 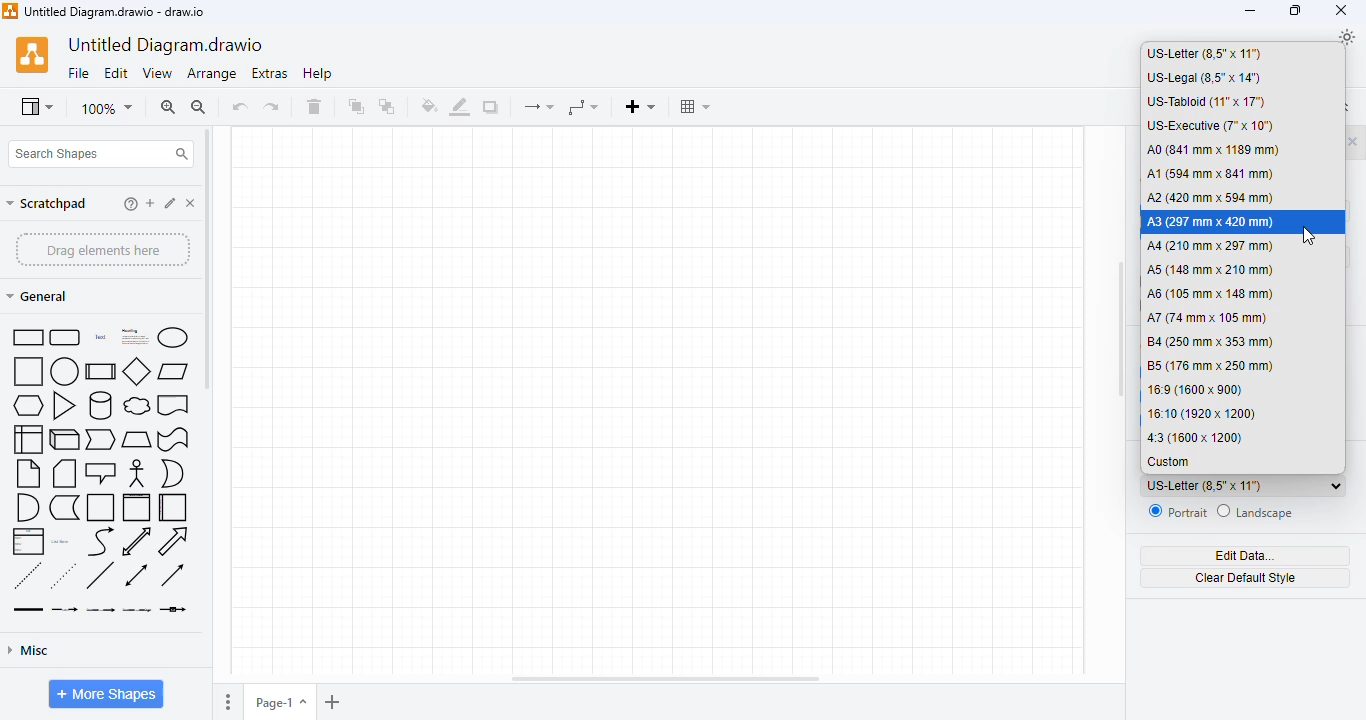 What do you see at coordinates (271, 106) in the screenshot?
I see `redo` at bounding box center [271, 106].